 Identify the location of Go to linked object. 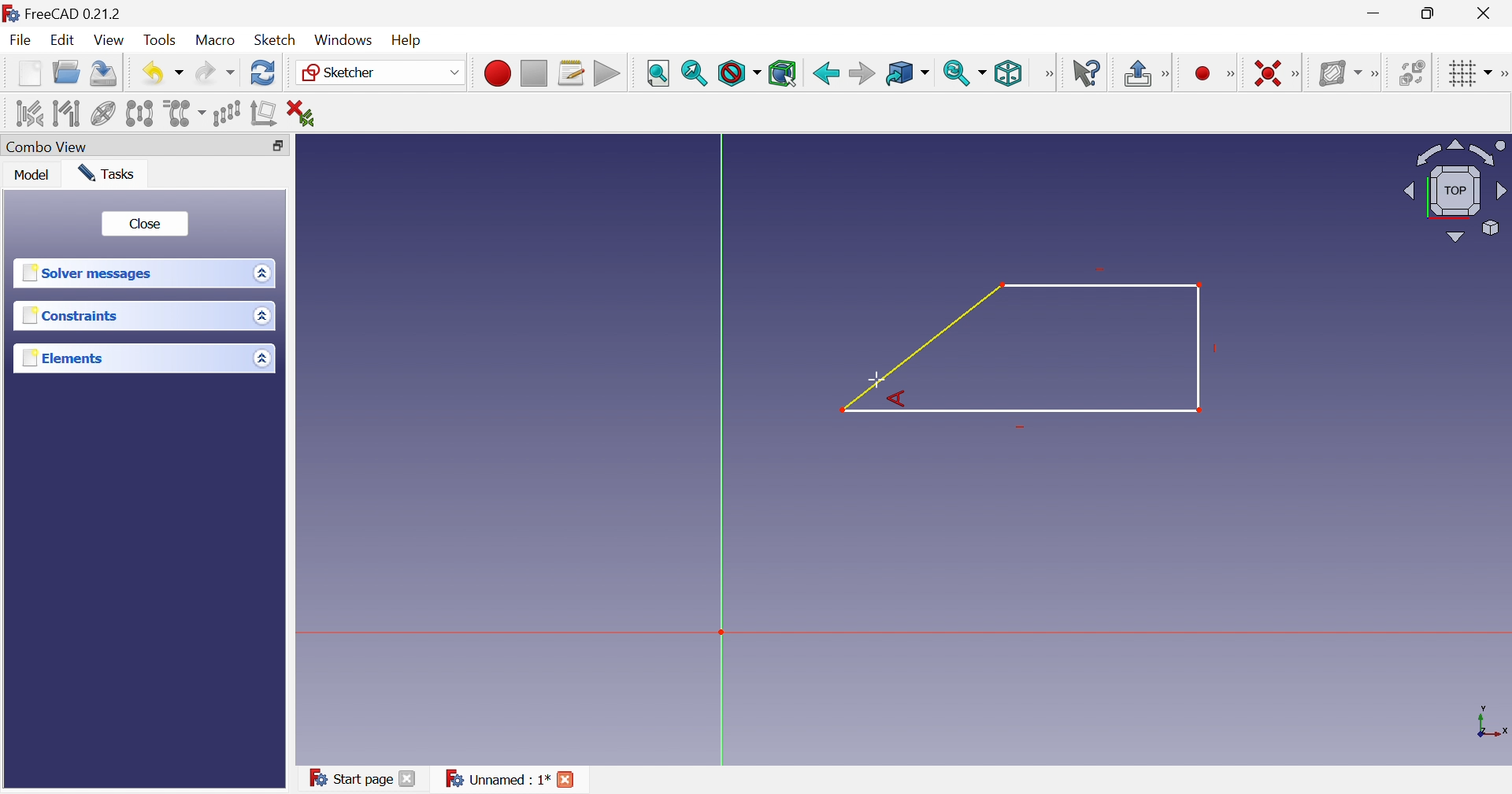
(899, 72).